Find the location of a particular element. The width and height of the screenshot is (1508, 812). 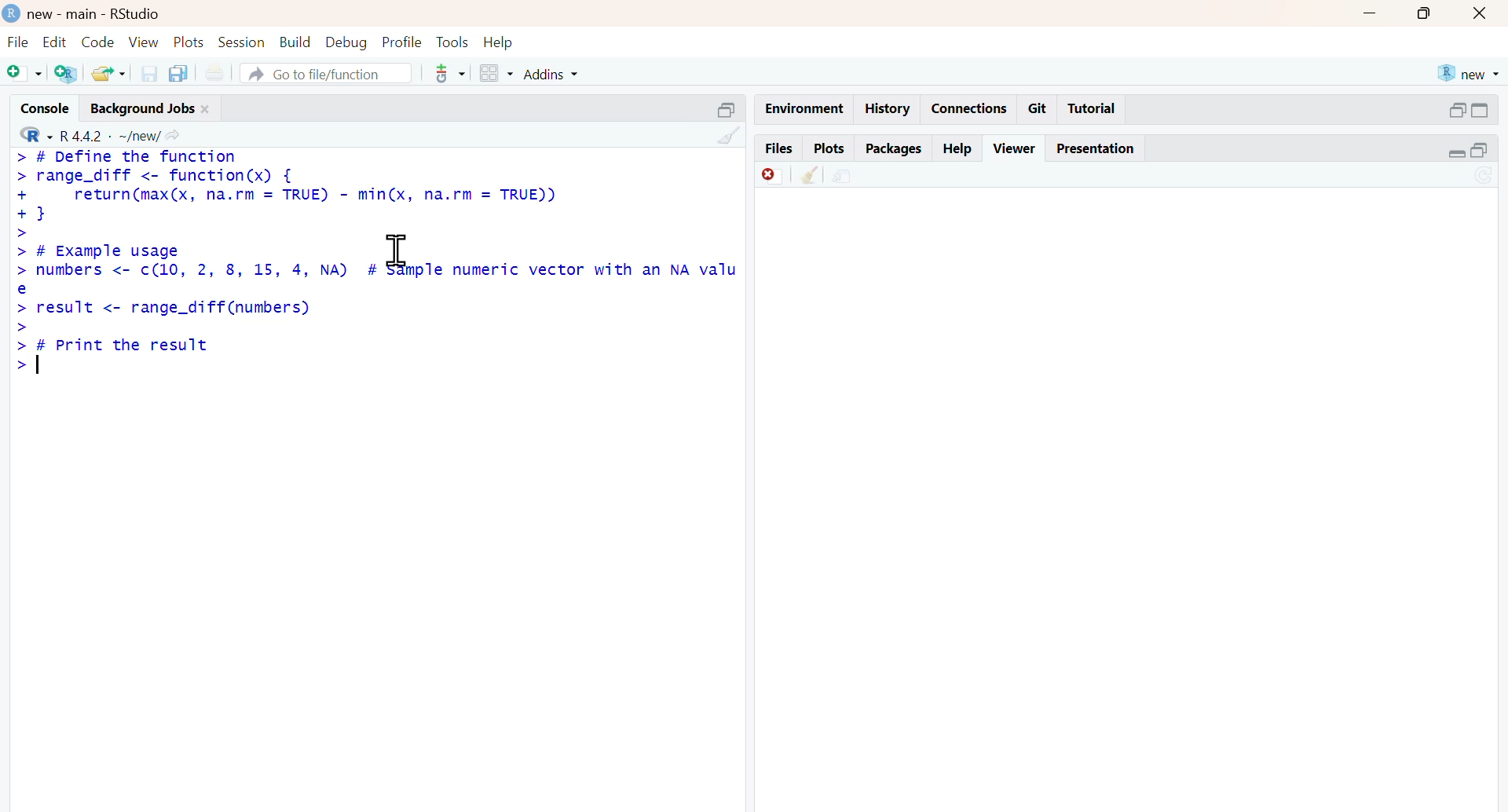

 is located at coordinates (1481, 13).